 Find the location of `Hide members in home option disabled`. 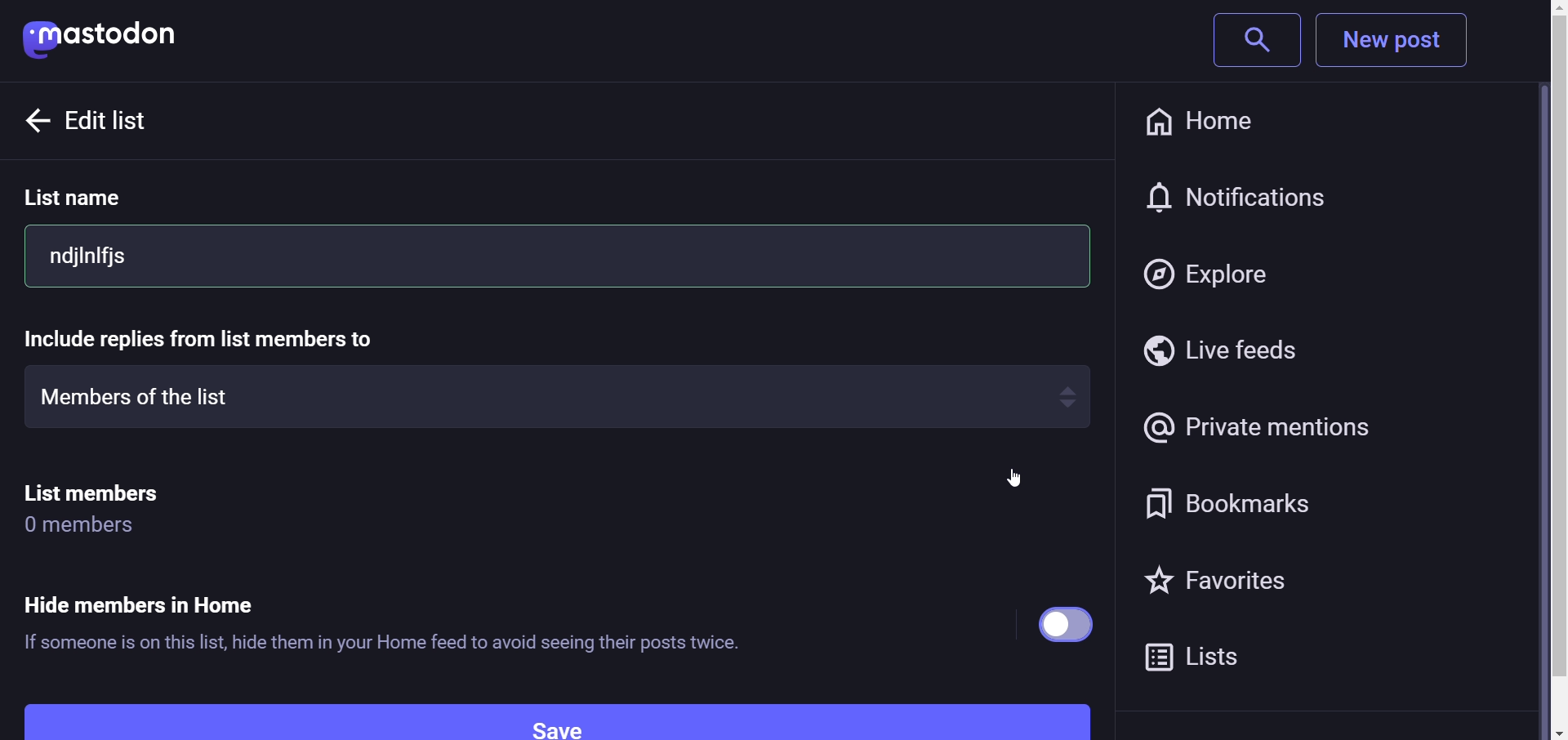

Hide members in home option disabled is located at coordinates (1067, 623).